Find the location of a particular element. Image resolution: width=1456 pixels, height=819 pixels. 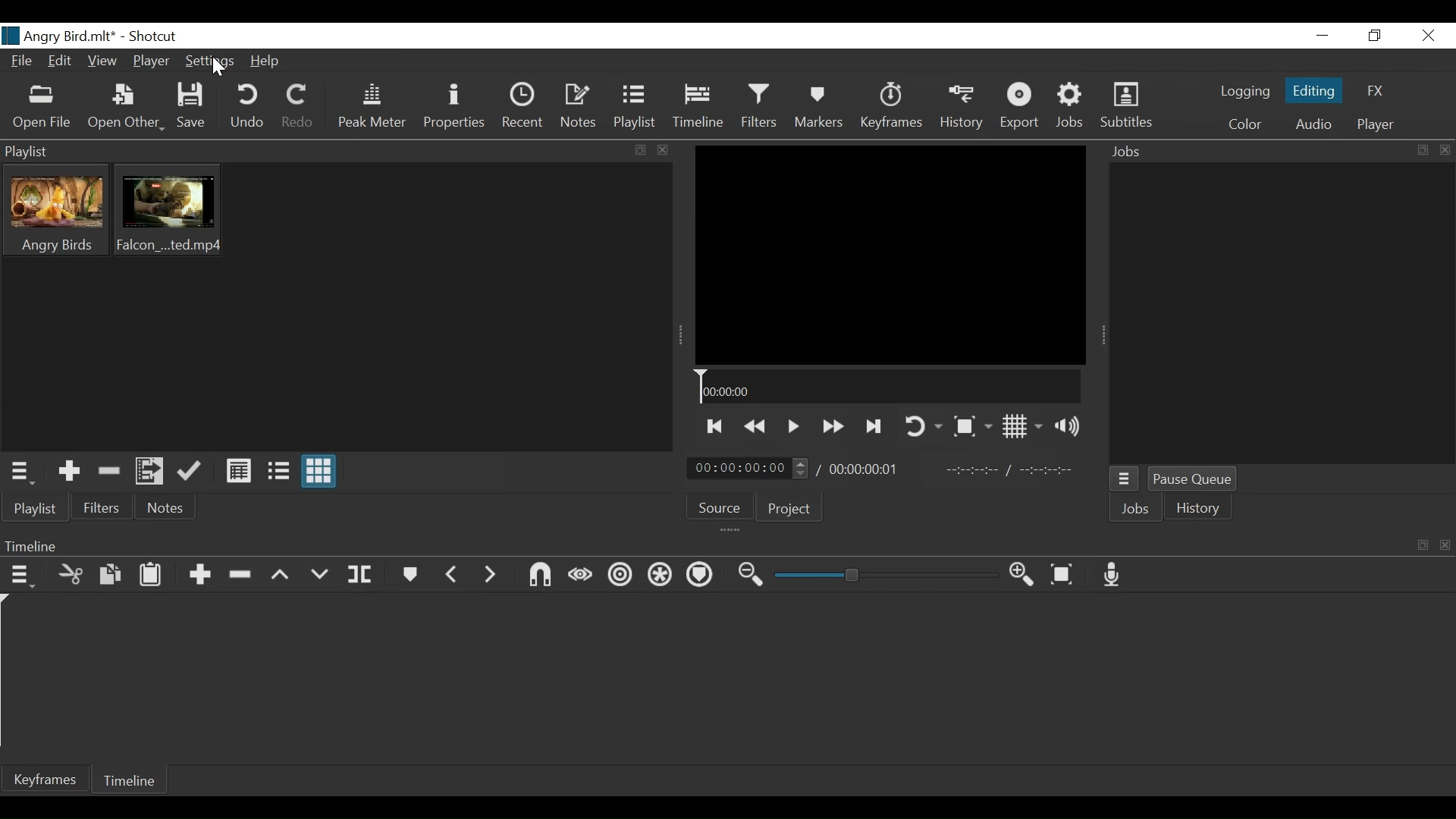

Add the Source to the playlist is located at coordinates (67, 471).